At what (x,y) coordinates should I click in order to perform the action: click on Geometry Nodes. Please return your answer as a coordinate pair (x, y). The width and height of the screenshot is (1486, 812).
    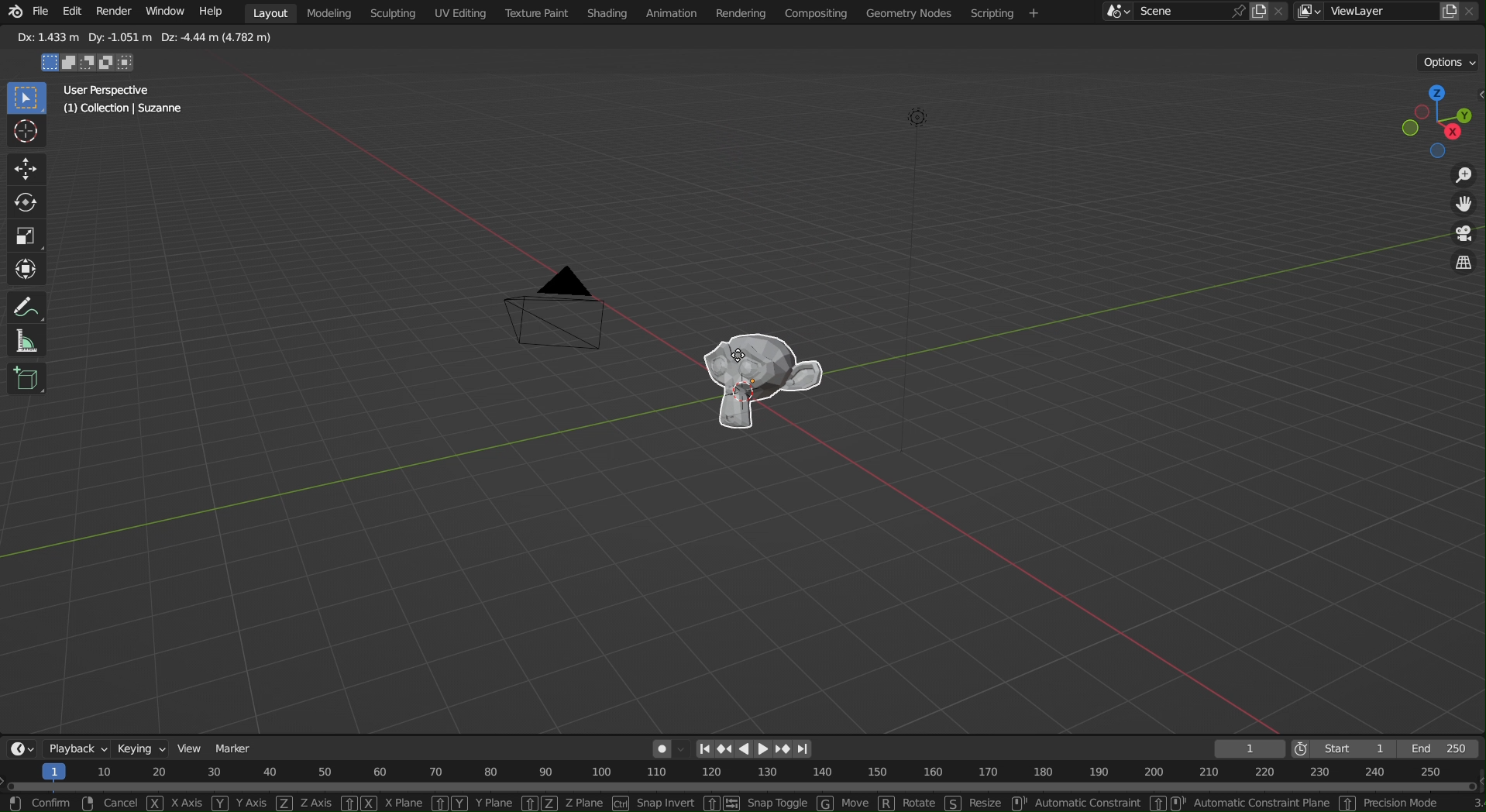
    Looking at the image, I should click on (913, 14).